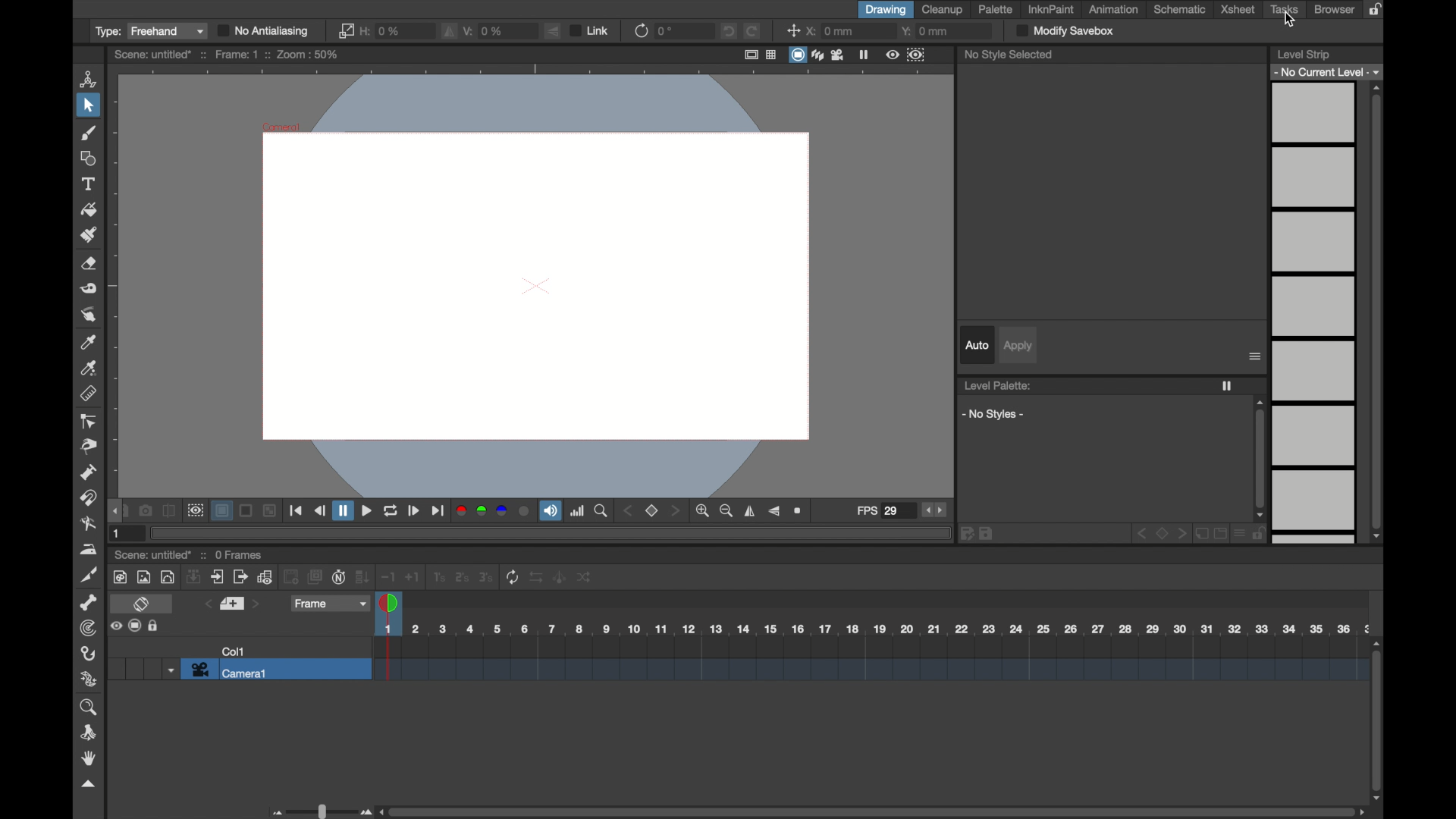 Image resolution: width=1456 pixels, height=819 pixels. What do you see at coordinates (642, 30) in the screenshot?
I see `refresh` at bounding box center [642, 30].